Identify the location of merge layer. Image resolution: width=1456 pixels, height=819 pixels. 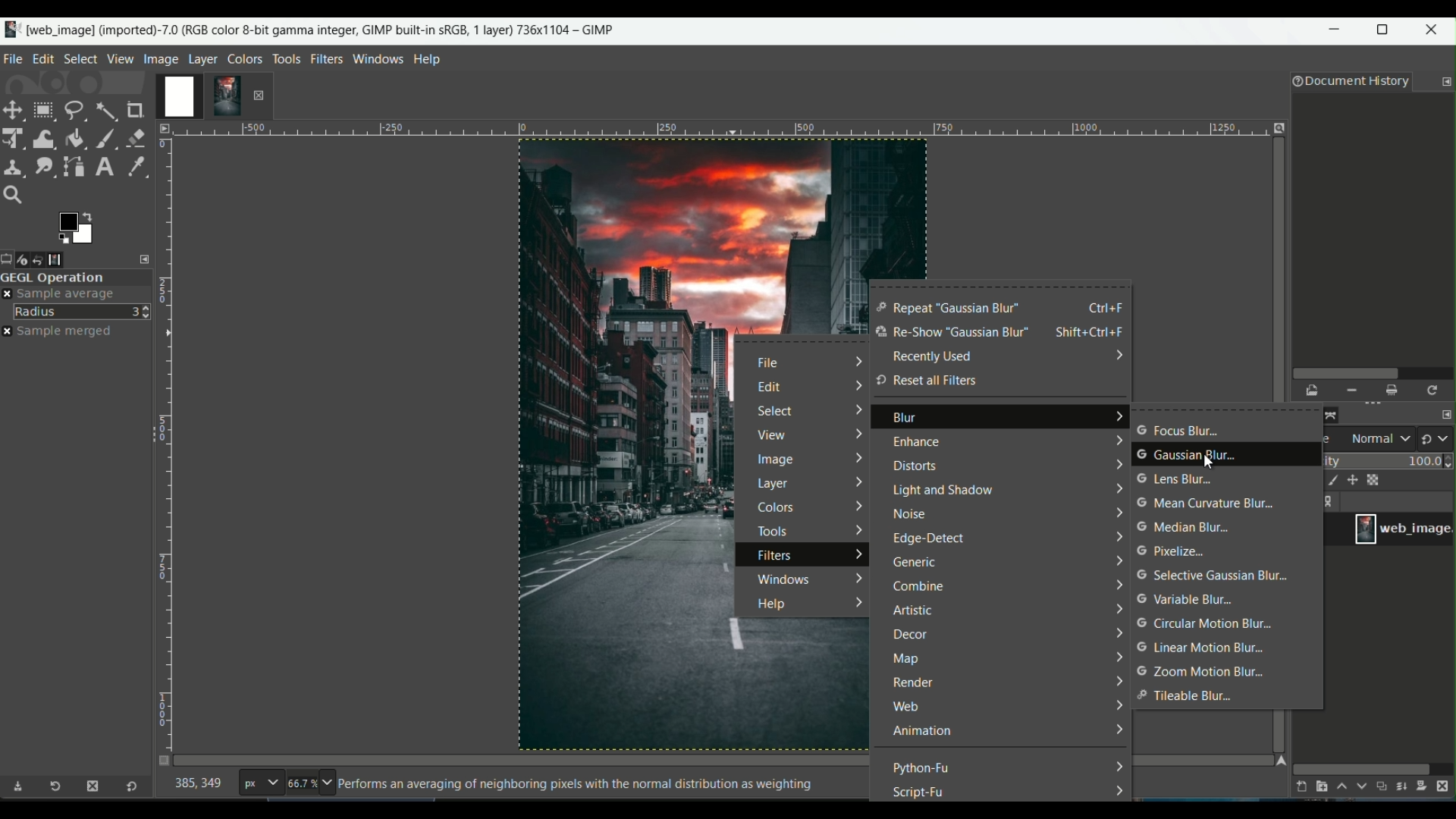
(1403, 787).